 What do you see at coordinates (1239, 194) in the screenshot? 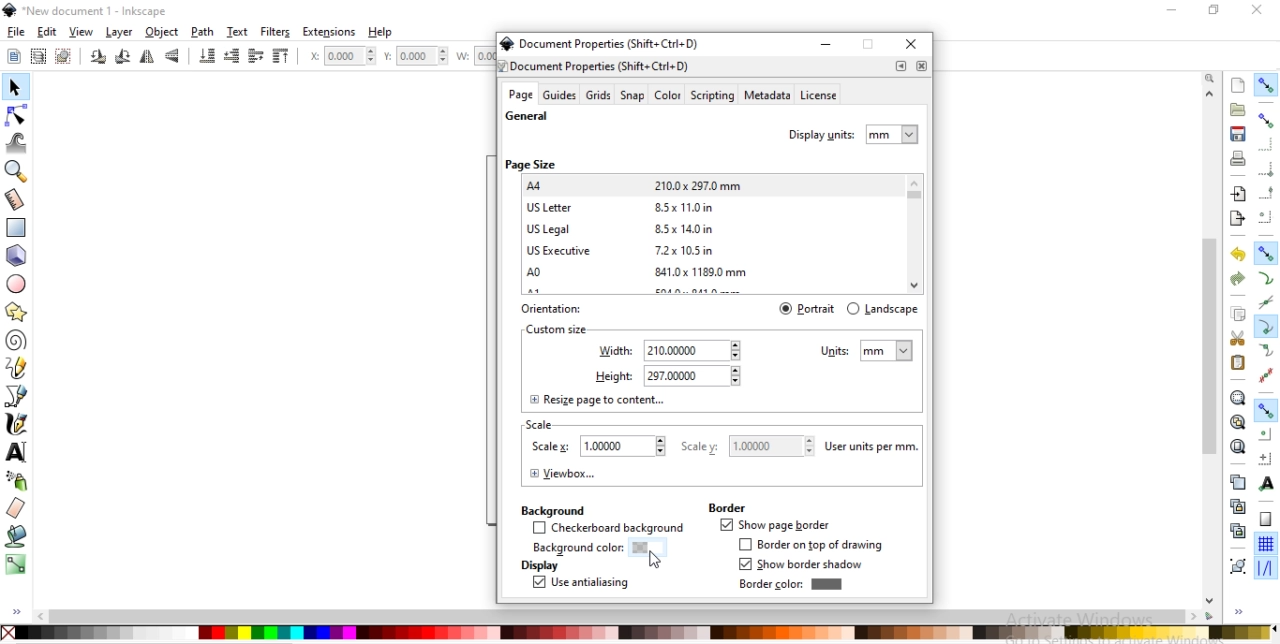
I see `import a bitmap` at bounding box center [1239, 194].